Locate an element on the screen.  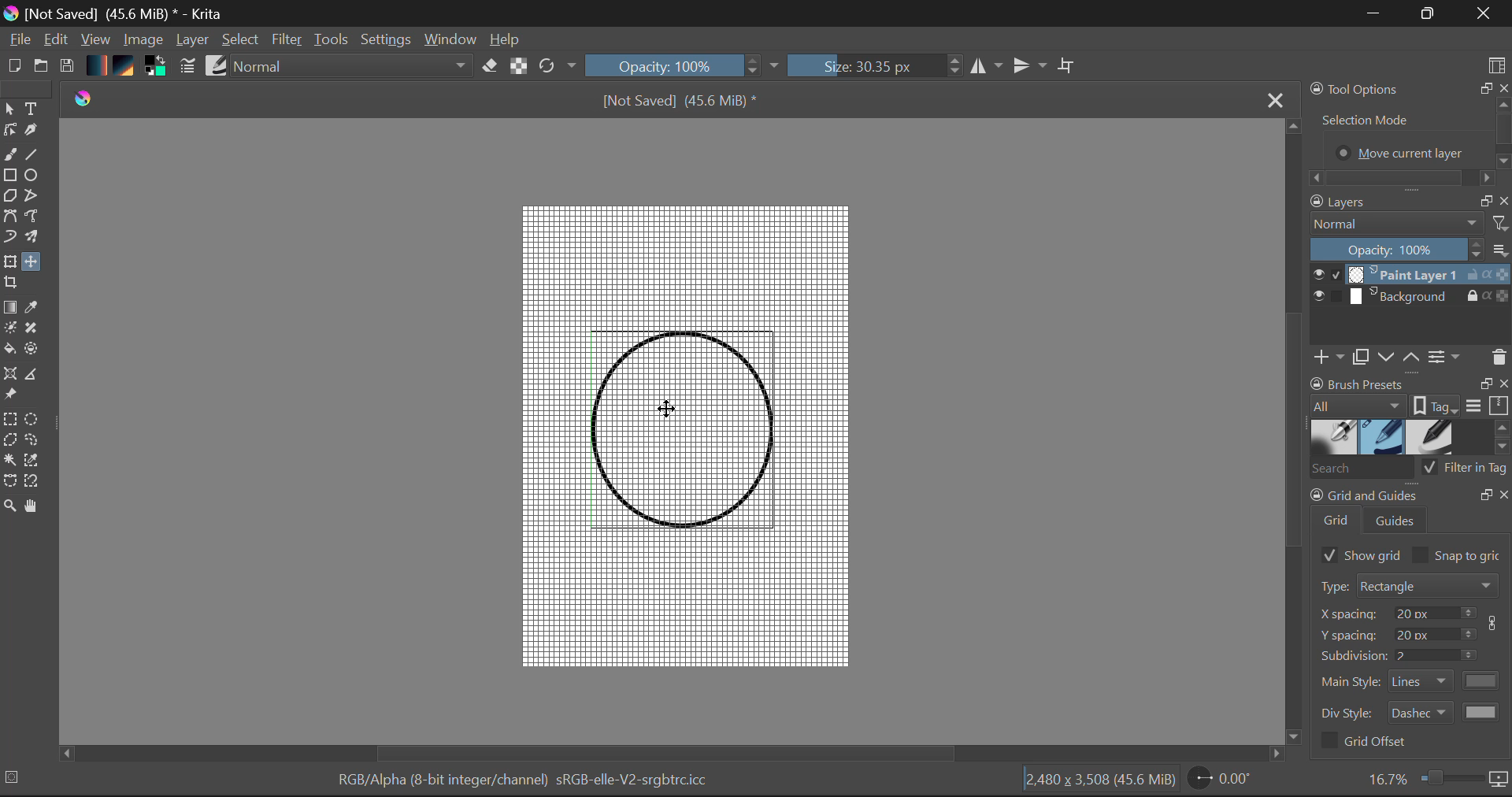
Elipses Selection Tool is located at coordinates (34, 418).